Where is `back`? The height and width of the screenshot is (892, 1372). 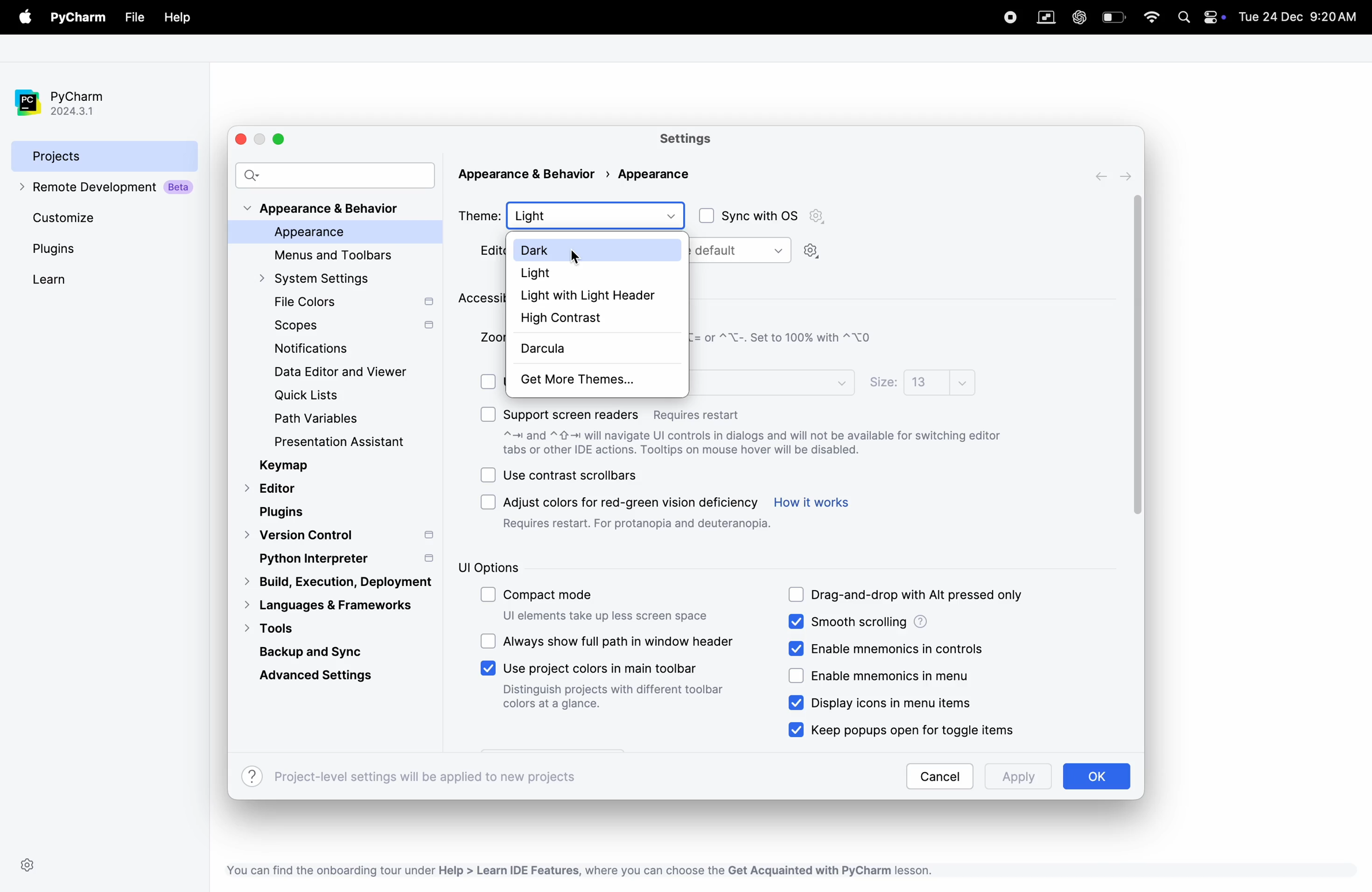
back is located at coordinates (1104, 176).